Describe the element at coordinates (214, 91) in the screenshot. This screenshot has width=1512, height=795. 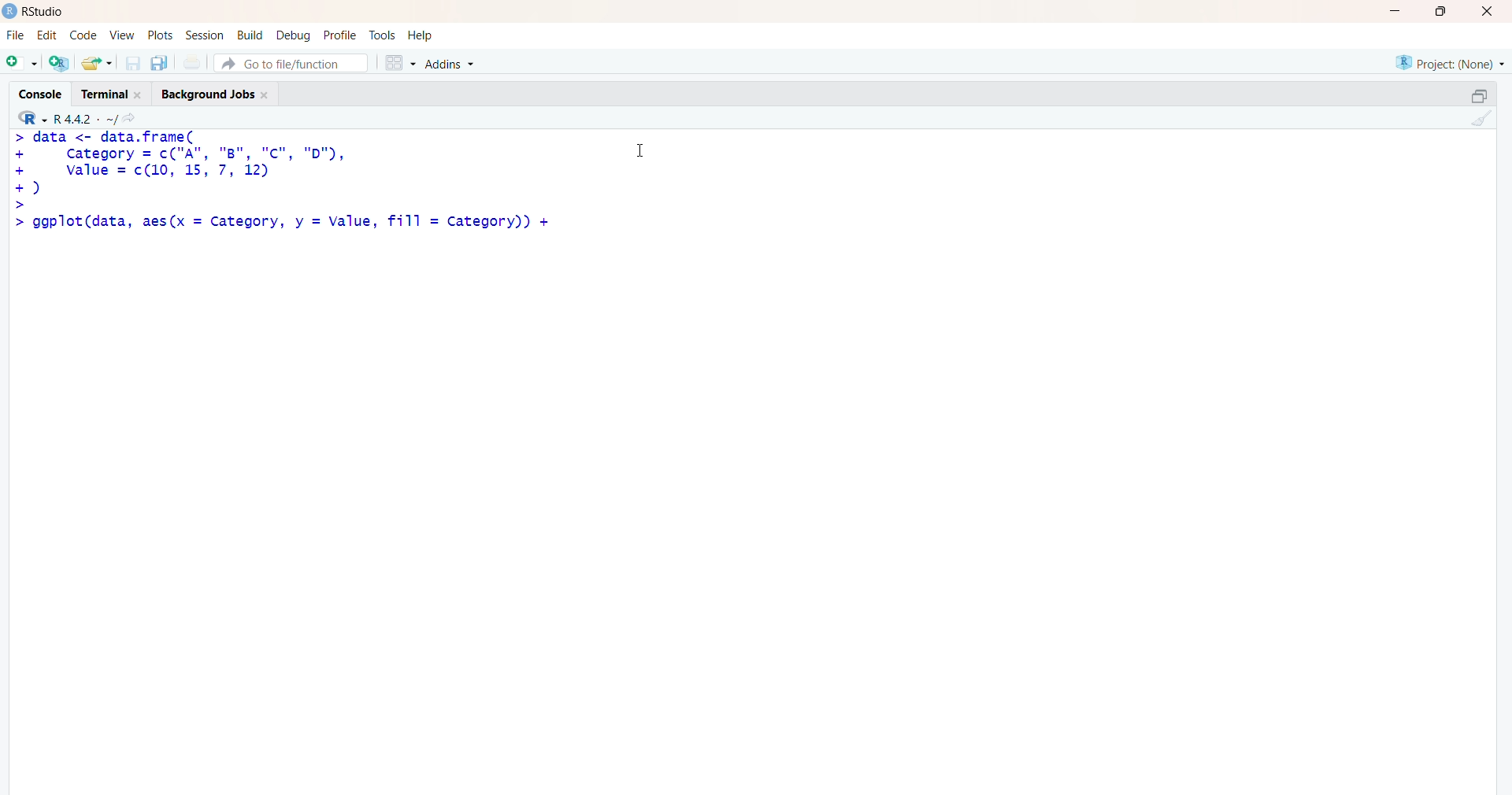
I see `Background Jobs` at that location.